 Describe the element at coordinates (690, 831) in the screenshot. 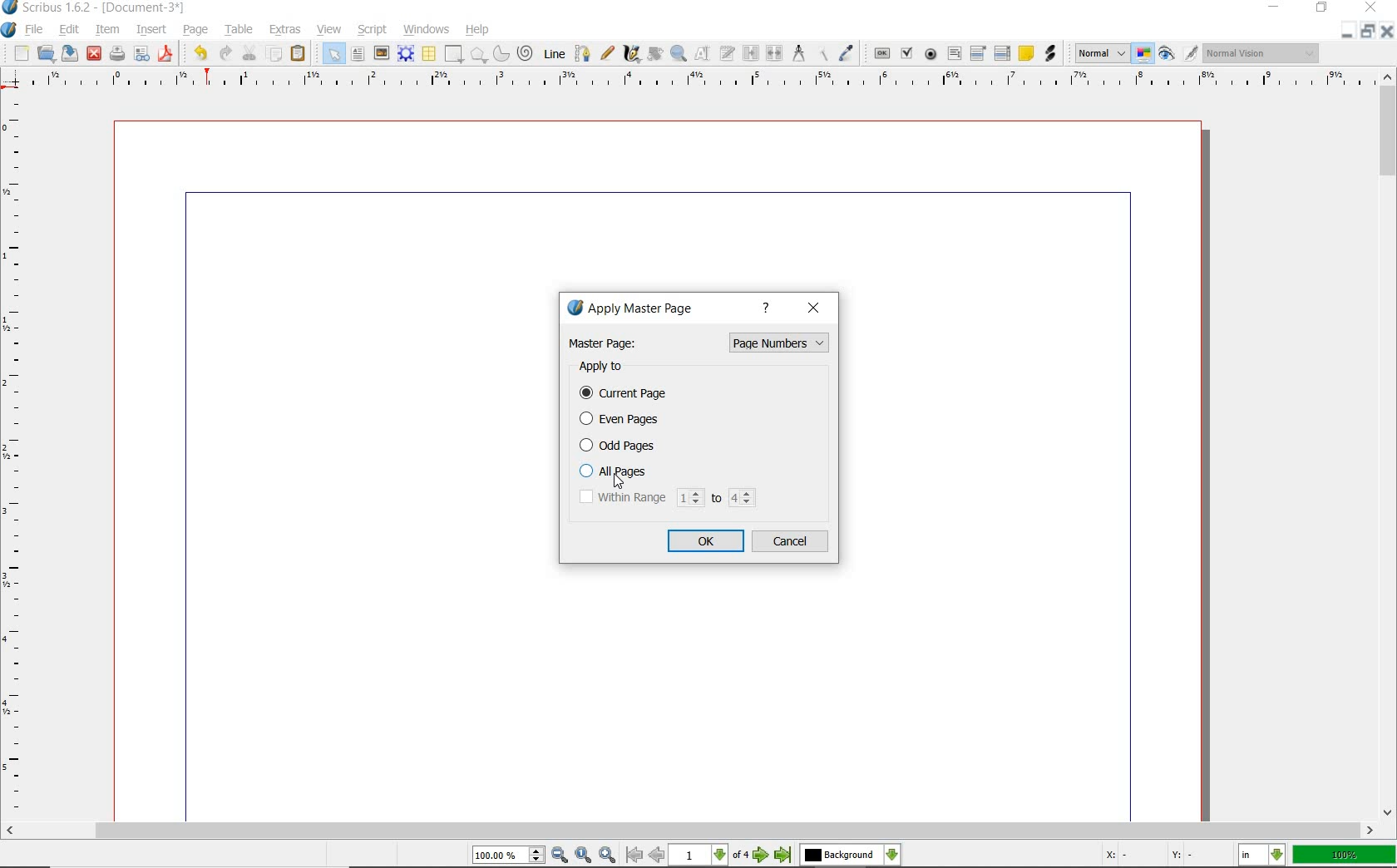

I see `scrollbar` at that location.